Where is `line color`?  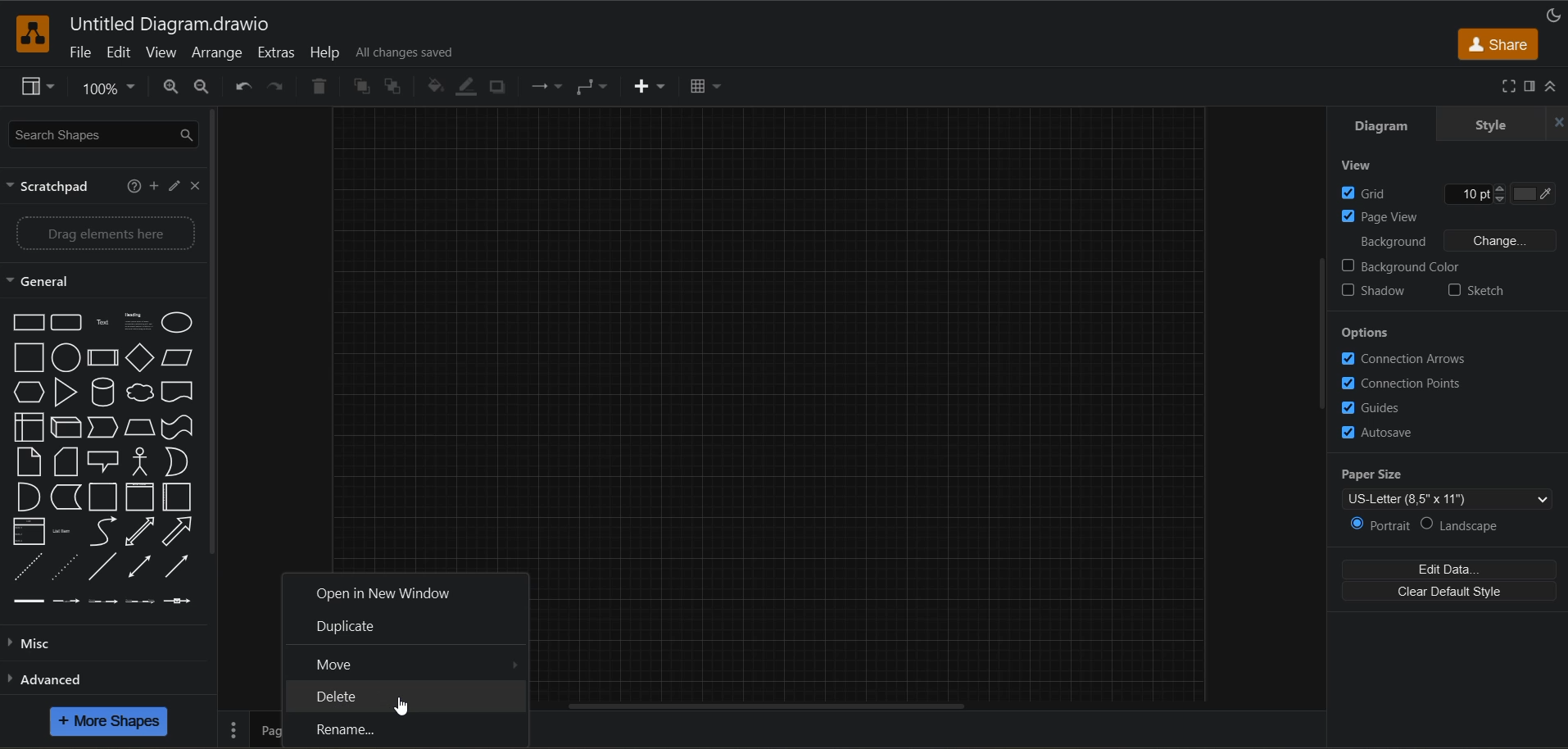
line color is located at coordinates (470, 88).